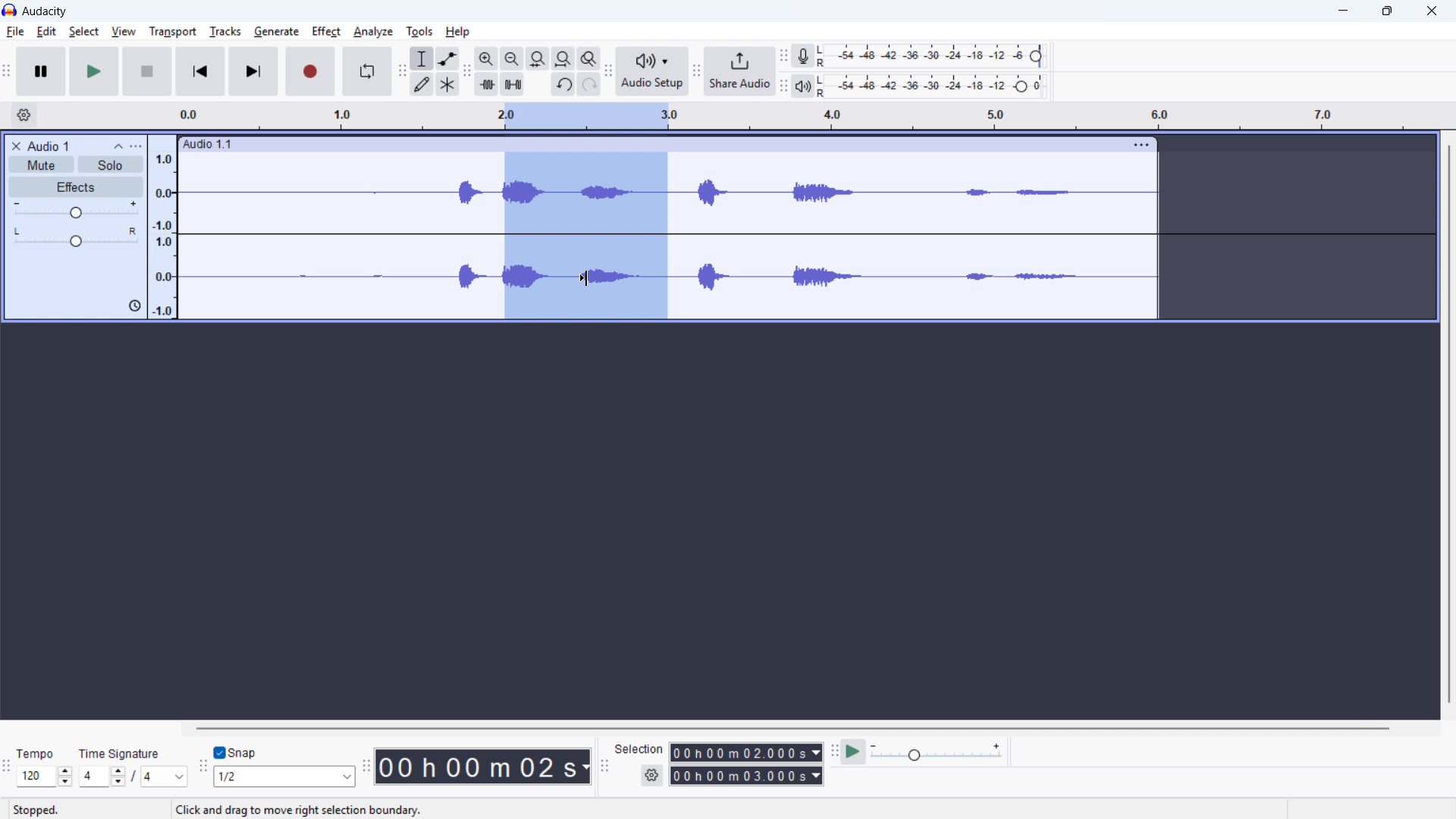  Describe the element at coordinates (833, 752) in the screenshot. I see `Play at speed toolbar` at that location.